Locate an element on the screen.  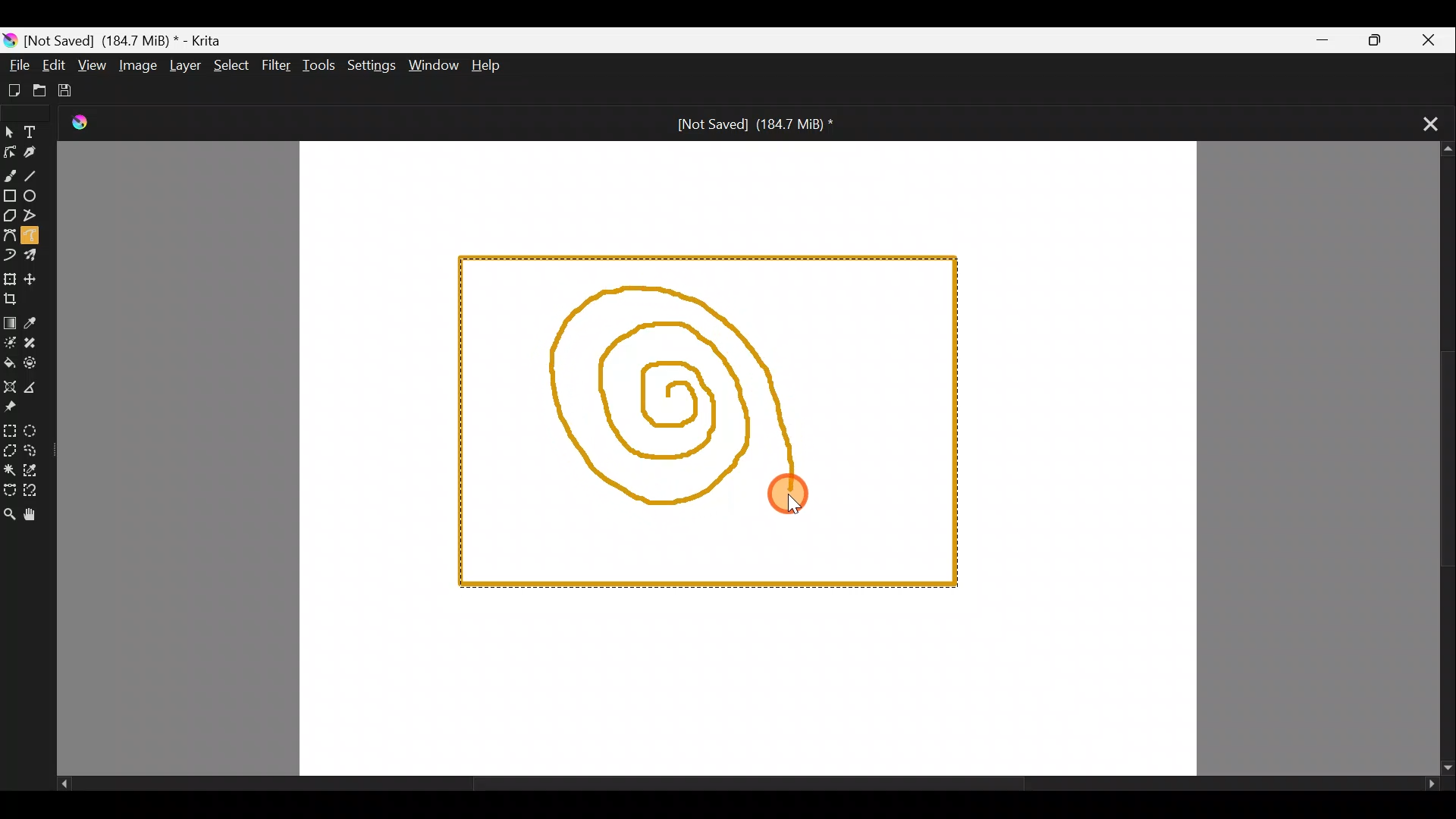
Bezier curve tool is located at coordinates (11, 236).